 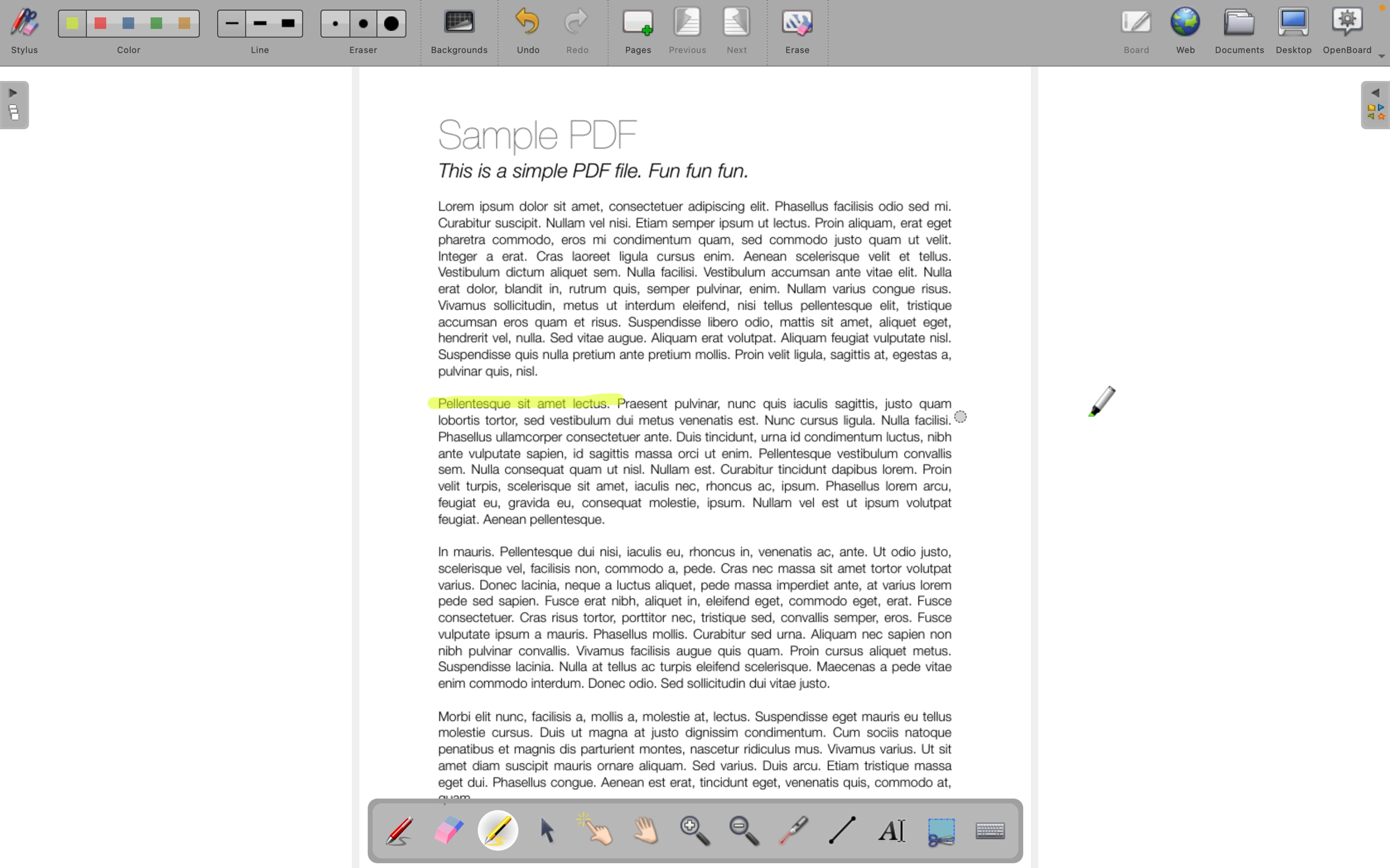 What do you see at coordinates (577, 33) in the screenshot?
I see `redo` at bounding box center [577, 33].